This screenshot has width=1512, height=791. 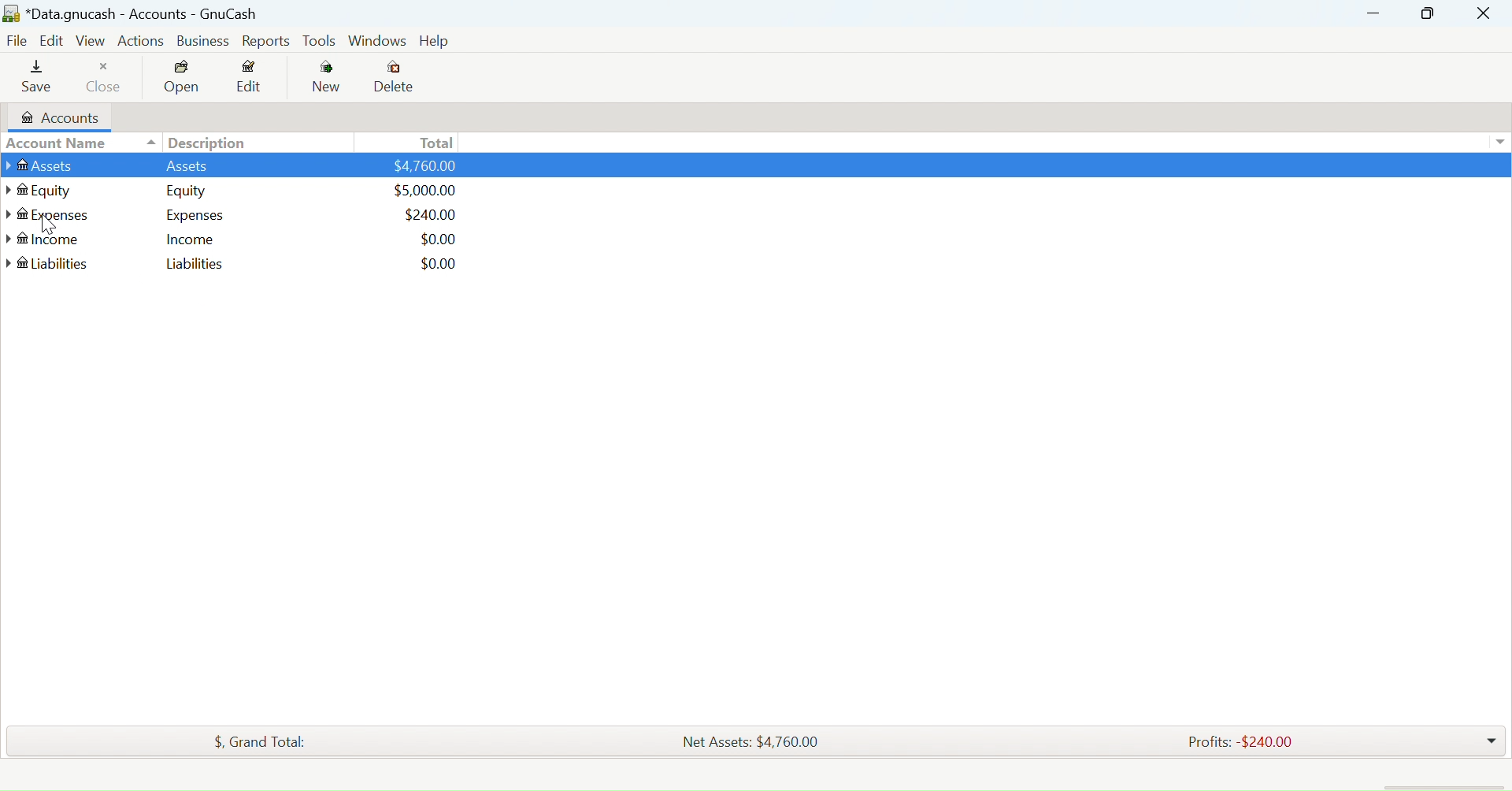 What do you see at coordinates (204, 142) in the screenshot?
I see `Description` at bounding box center [204, 142].